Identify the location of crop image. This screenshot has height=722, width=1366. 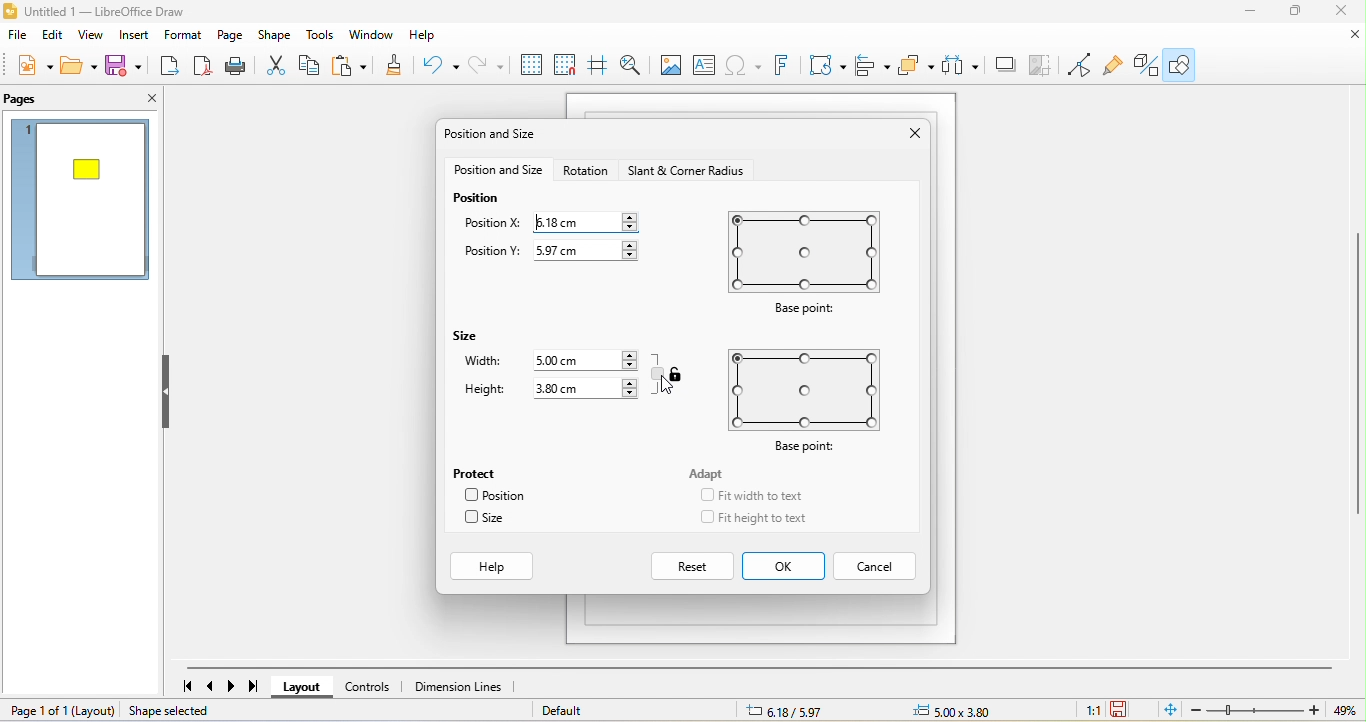
(1045, 64).